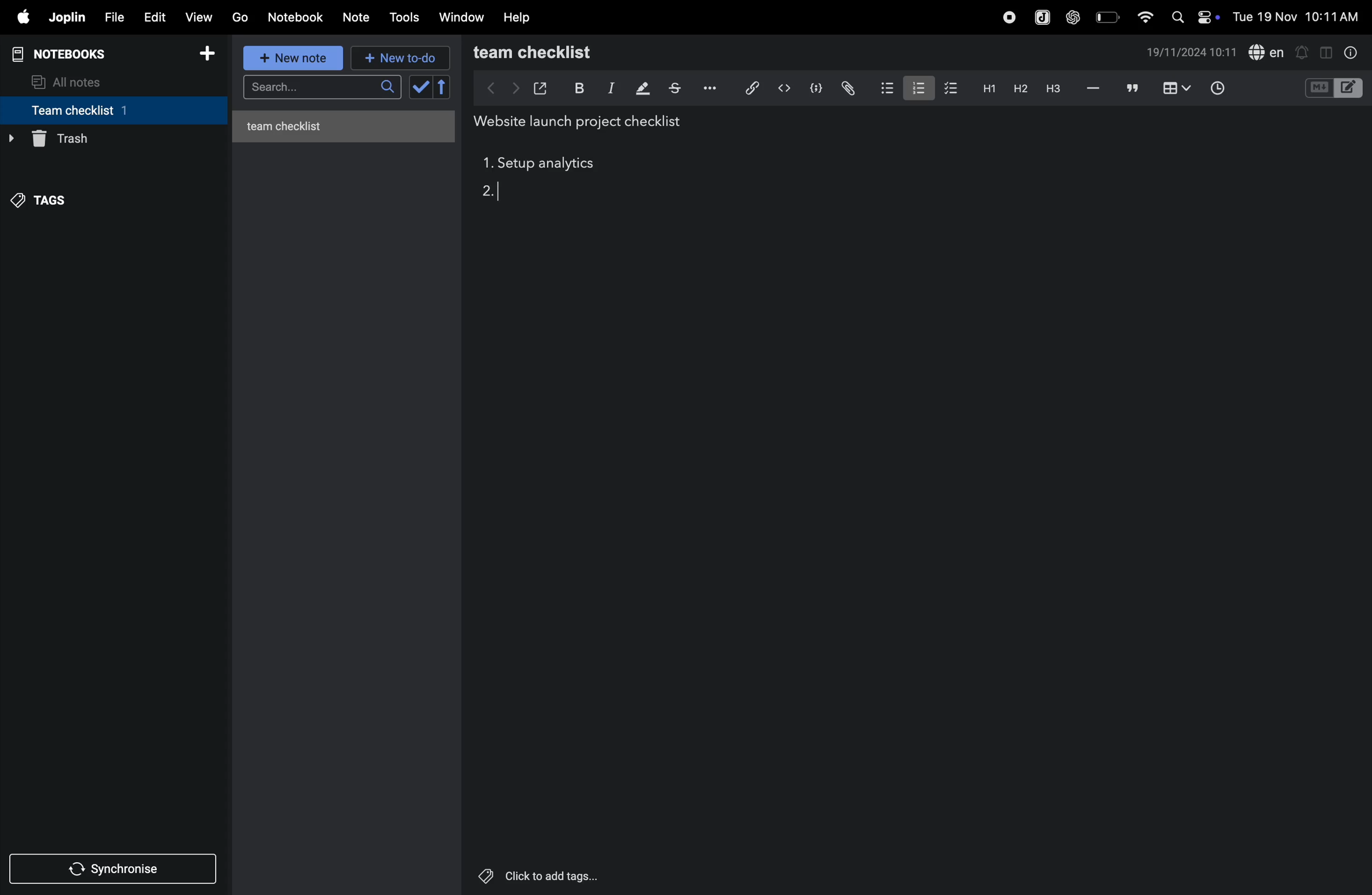 This screenshot has width=1372, height=895. What do you see at coordinates (1071, 17) in the screenshot?
I see `chat gpt` at bounding box center [1071, 17].